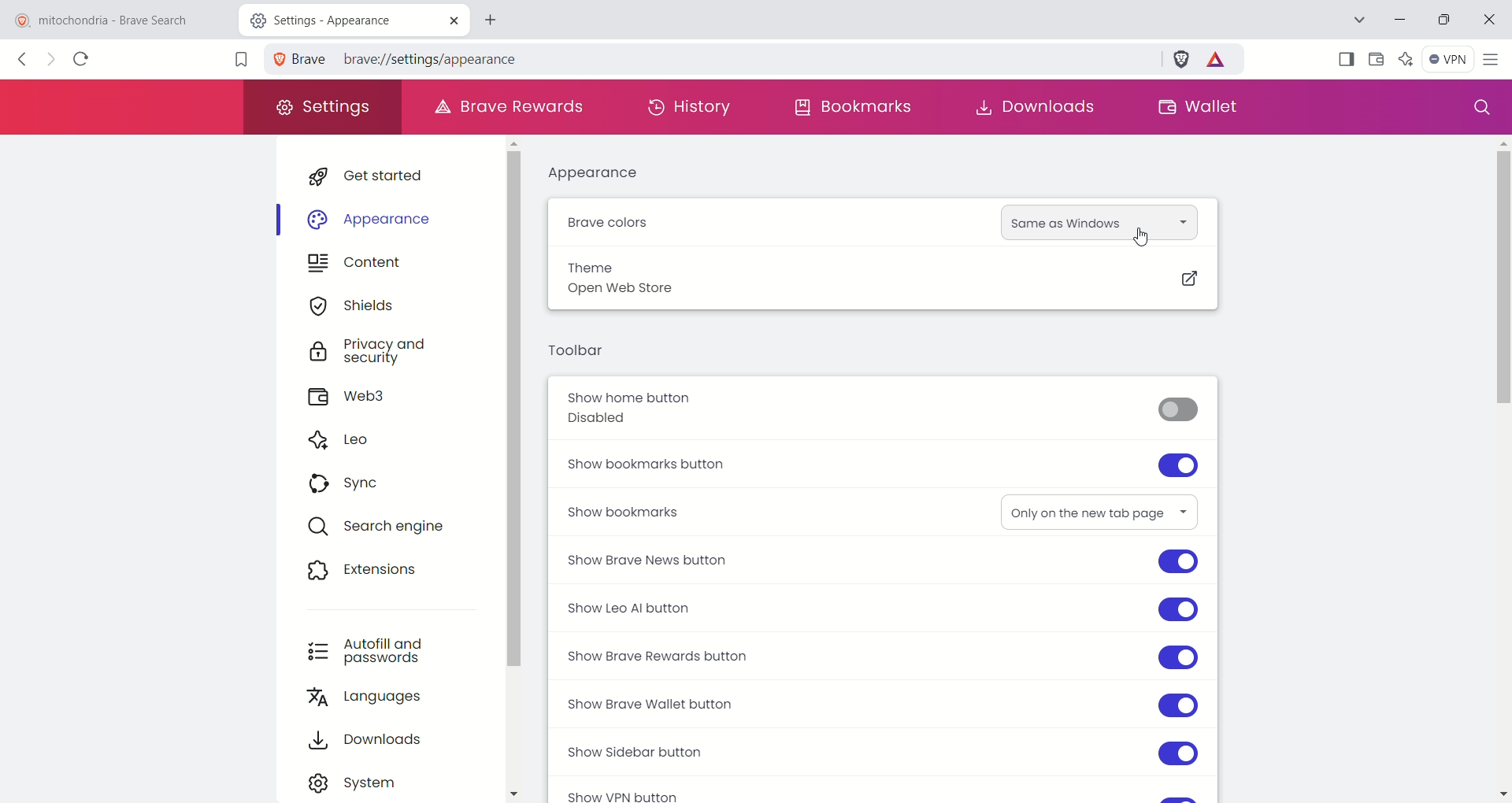 This screenshot has width=1512, height=803. I want to click on brave schields, so click(1182, 58).